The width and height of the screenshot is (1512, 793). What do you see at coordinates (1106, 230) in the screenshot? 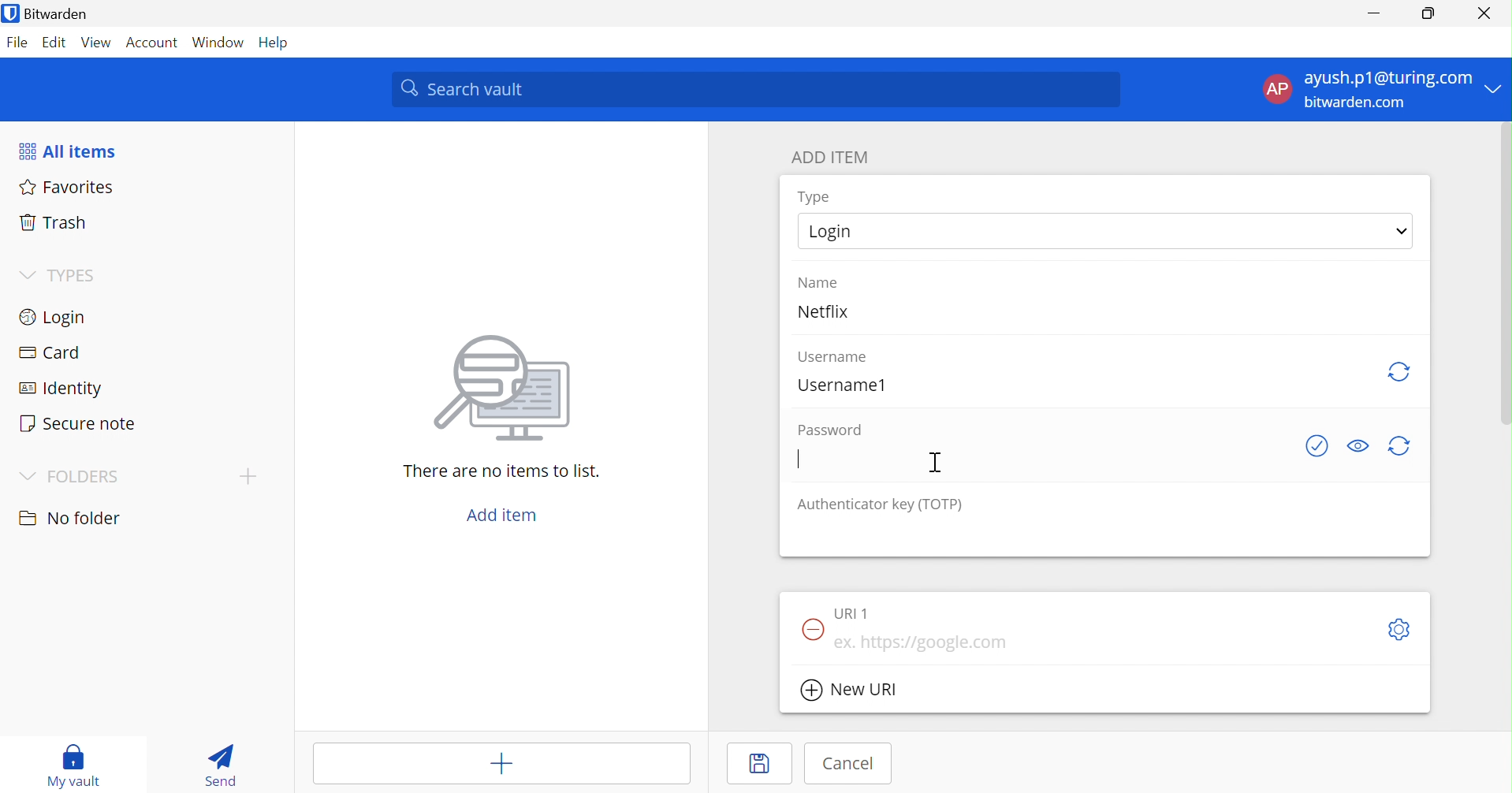
I see `Login` at bounding box center [1106, 230].